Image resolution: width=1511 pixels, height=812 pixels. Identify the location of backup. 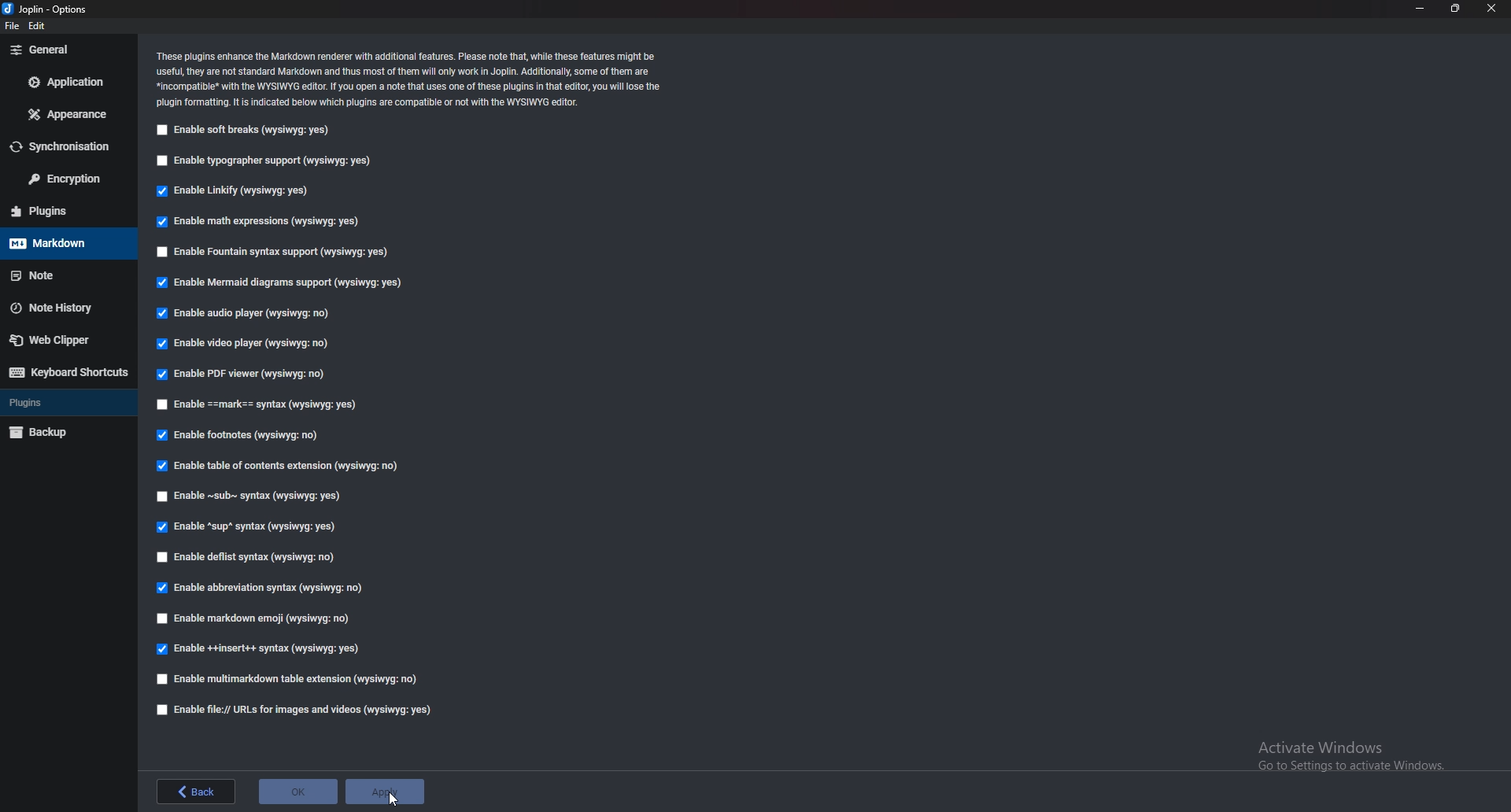
(59, 433).